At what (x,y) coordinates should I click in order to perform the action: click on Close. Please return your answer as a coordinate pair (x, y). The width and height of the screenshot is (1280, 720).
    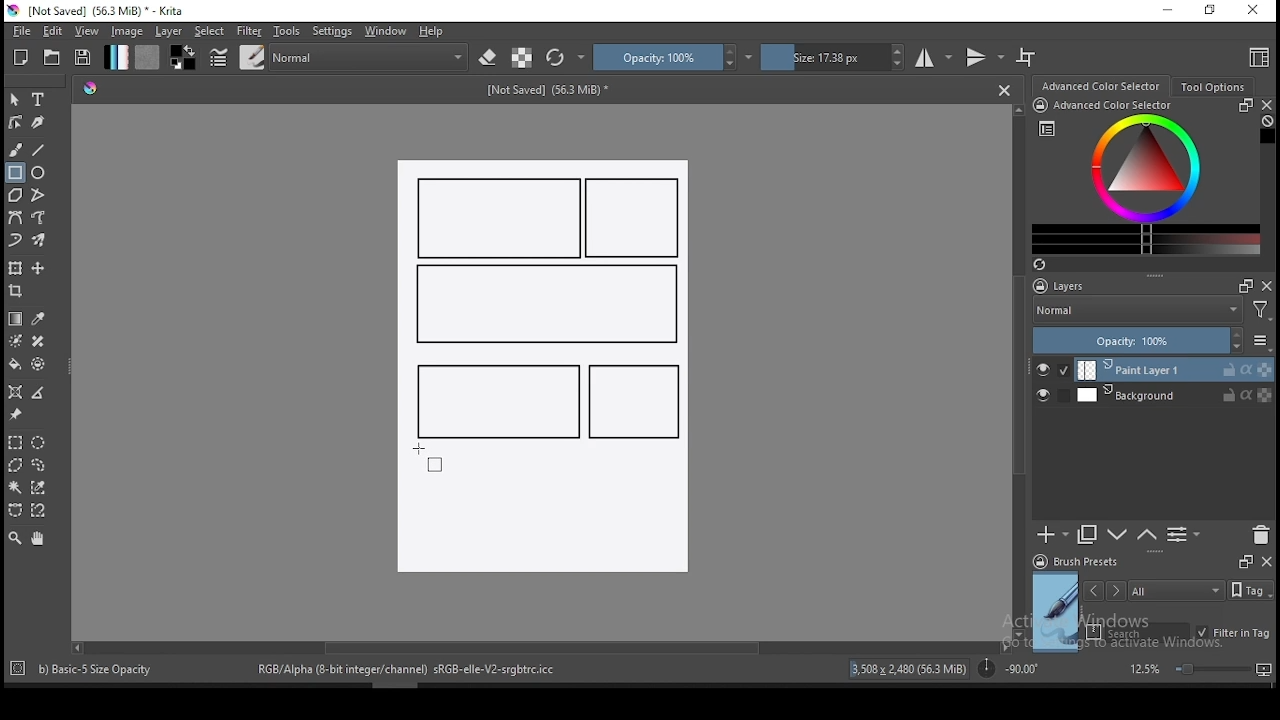
    Looking at the image, I should click on (1004, 89).